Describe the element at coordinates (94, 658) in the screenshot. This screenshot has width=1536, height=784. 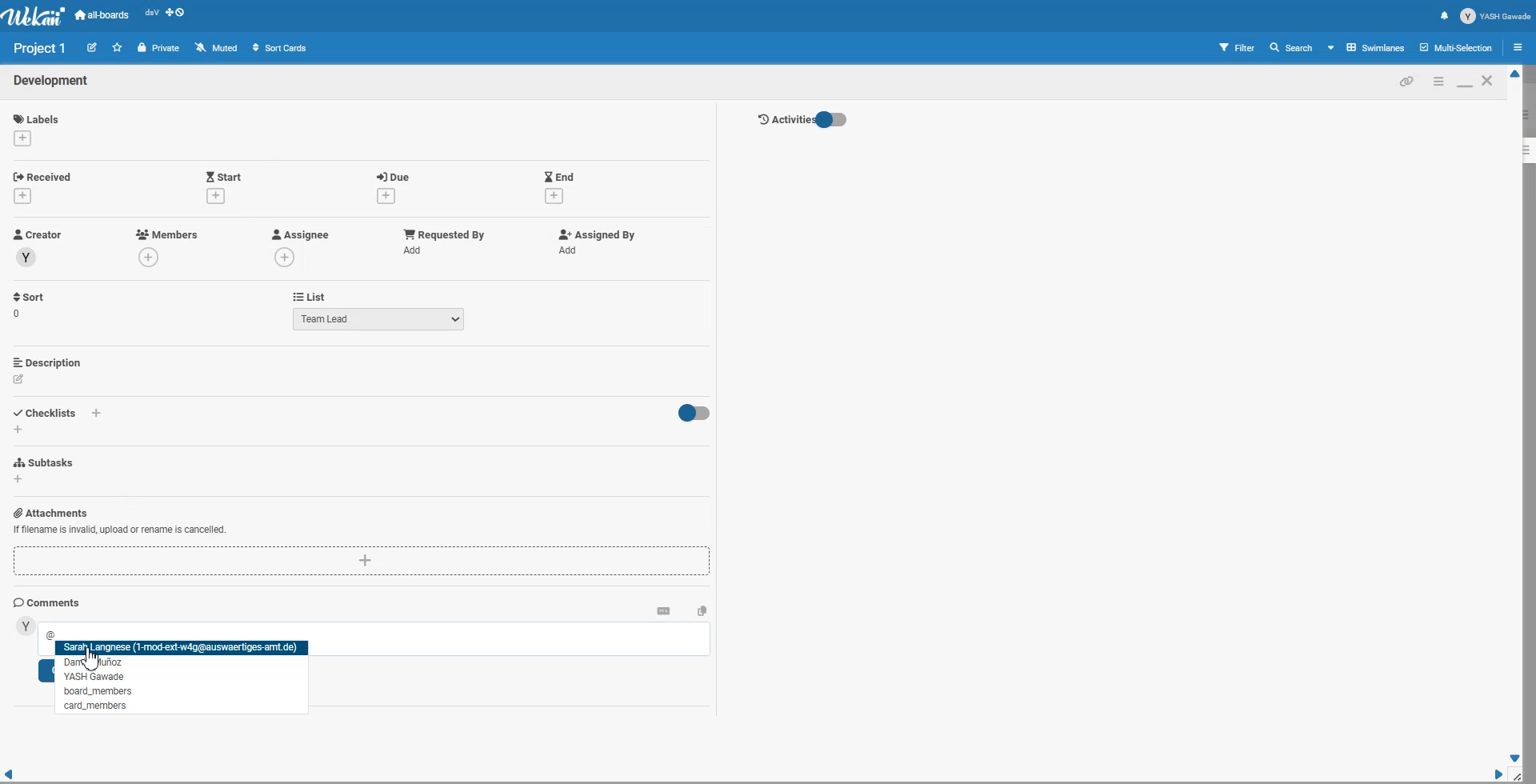
I see `Cursor` at that location.